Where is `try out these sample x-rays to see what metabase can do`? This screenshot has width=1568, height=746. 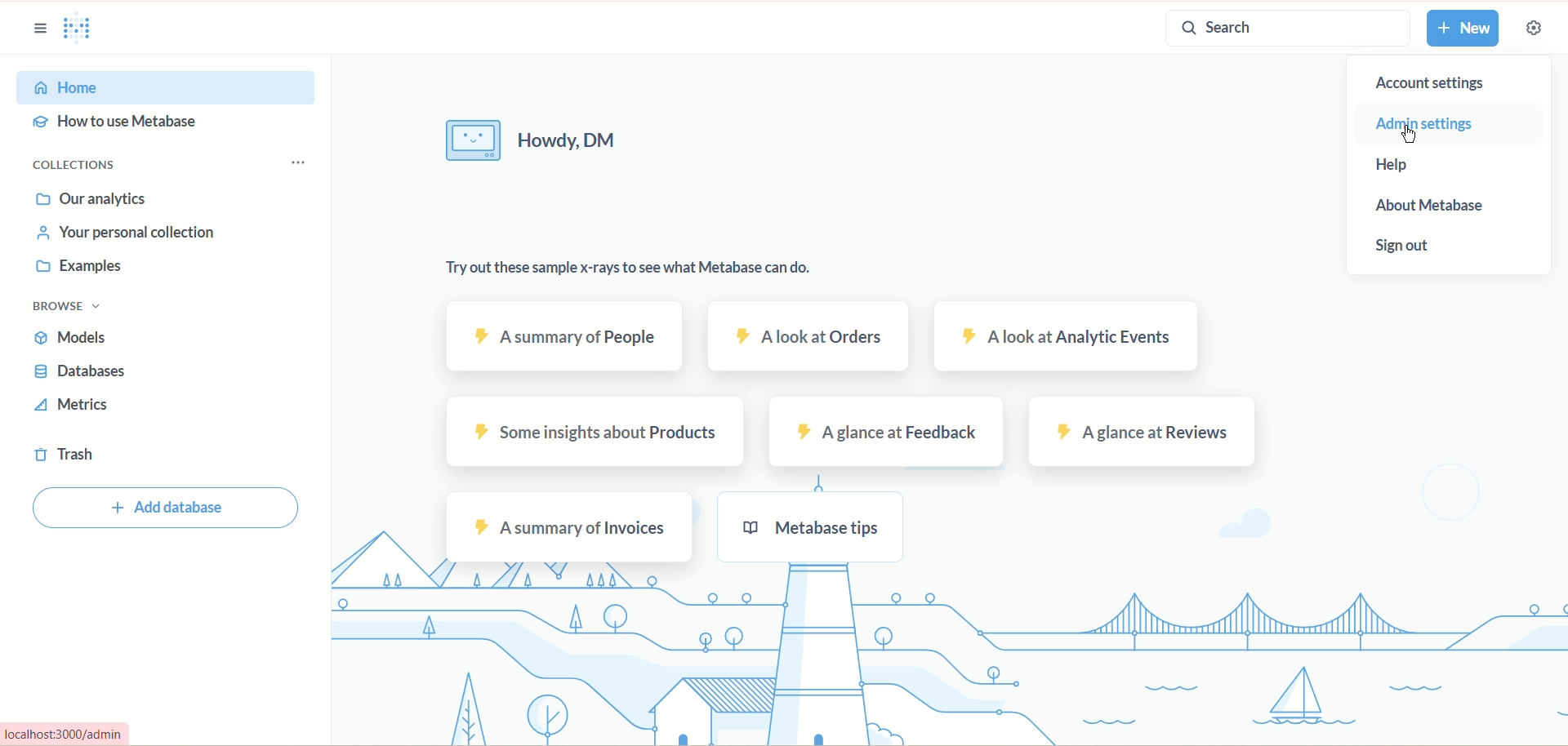 try out these sample x-rays to see what metabase can do is located at coordinates (631, 271).